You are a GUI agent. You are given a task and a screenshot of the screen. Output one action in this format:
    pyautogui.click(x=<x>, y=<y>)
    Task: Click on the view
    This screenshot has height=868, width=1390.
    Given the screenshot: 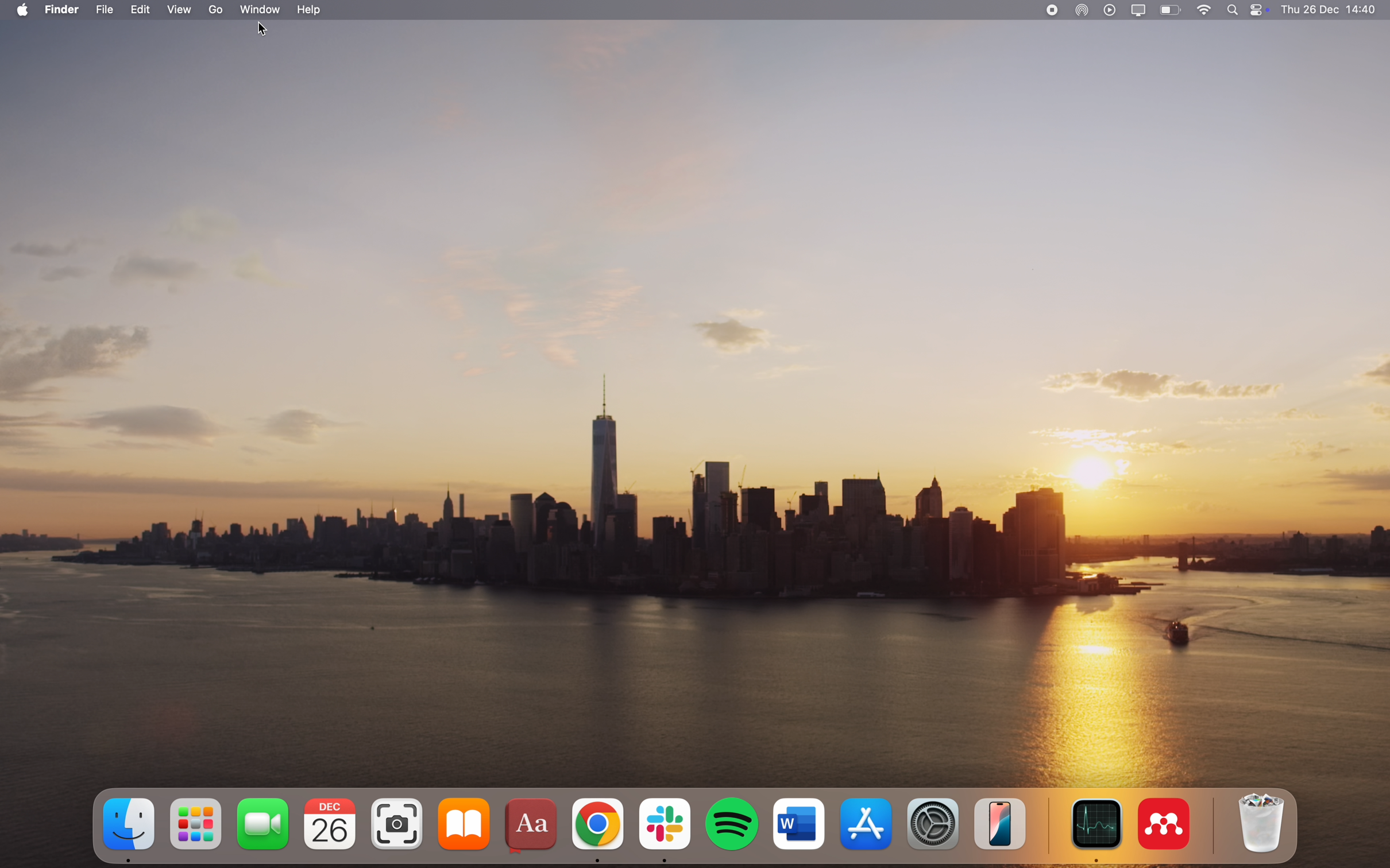 What is the action you would take?
    pyautogui.click(x=184, y=9)
    